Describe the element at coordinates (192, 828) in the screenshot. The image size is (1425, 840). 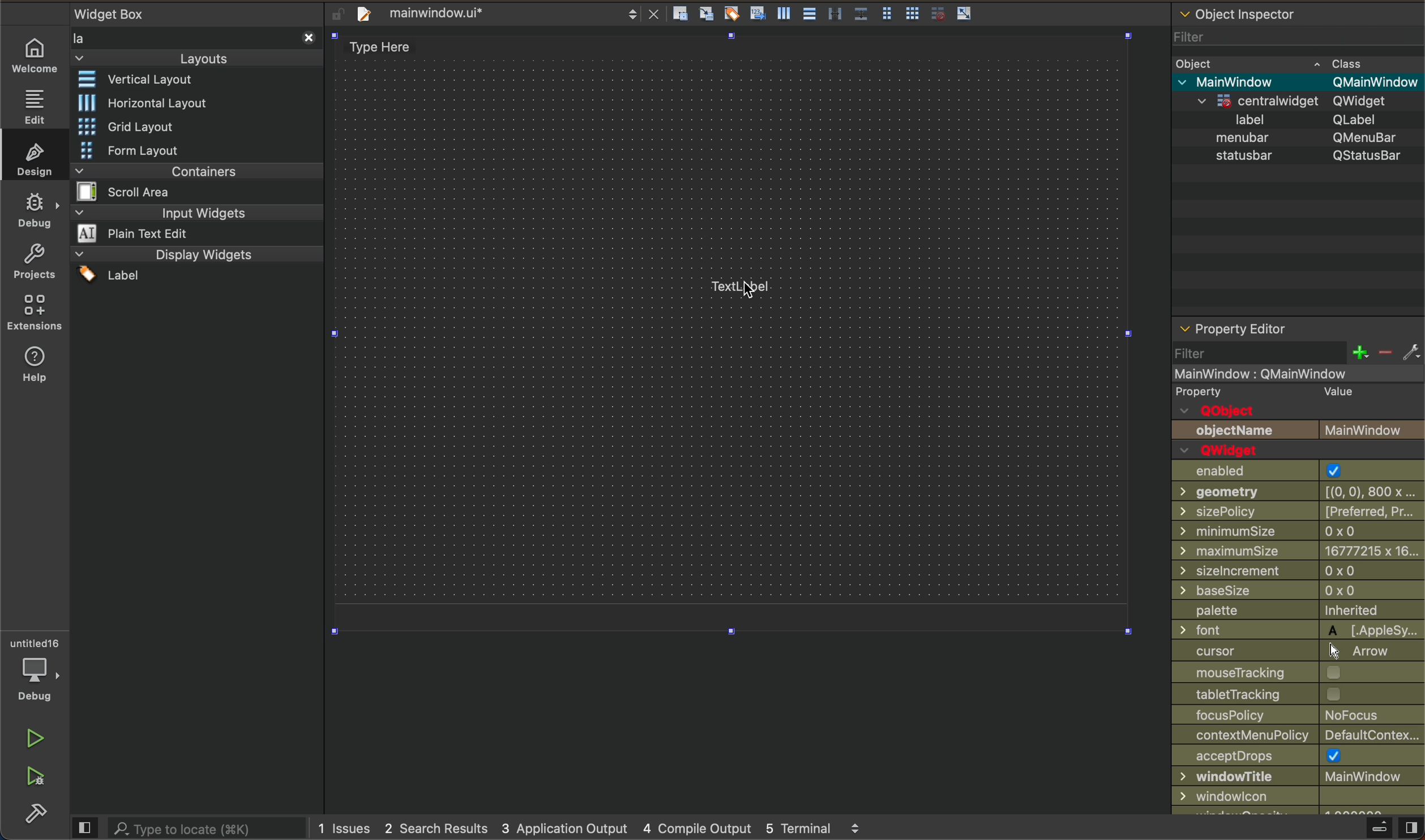
I see `search` at that location.